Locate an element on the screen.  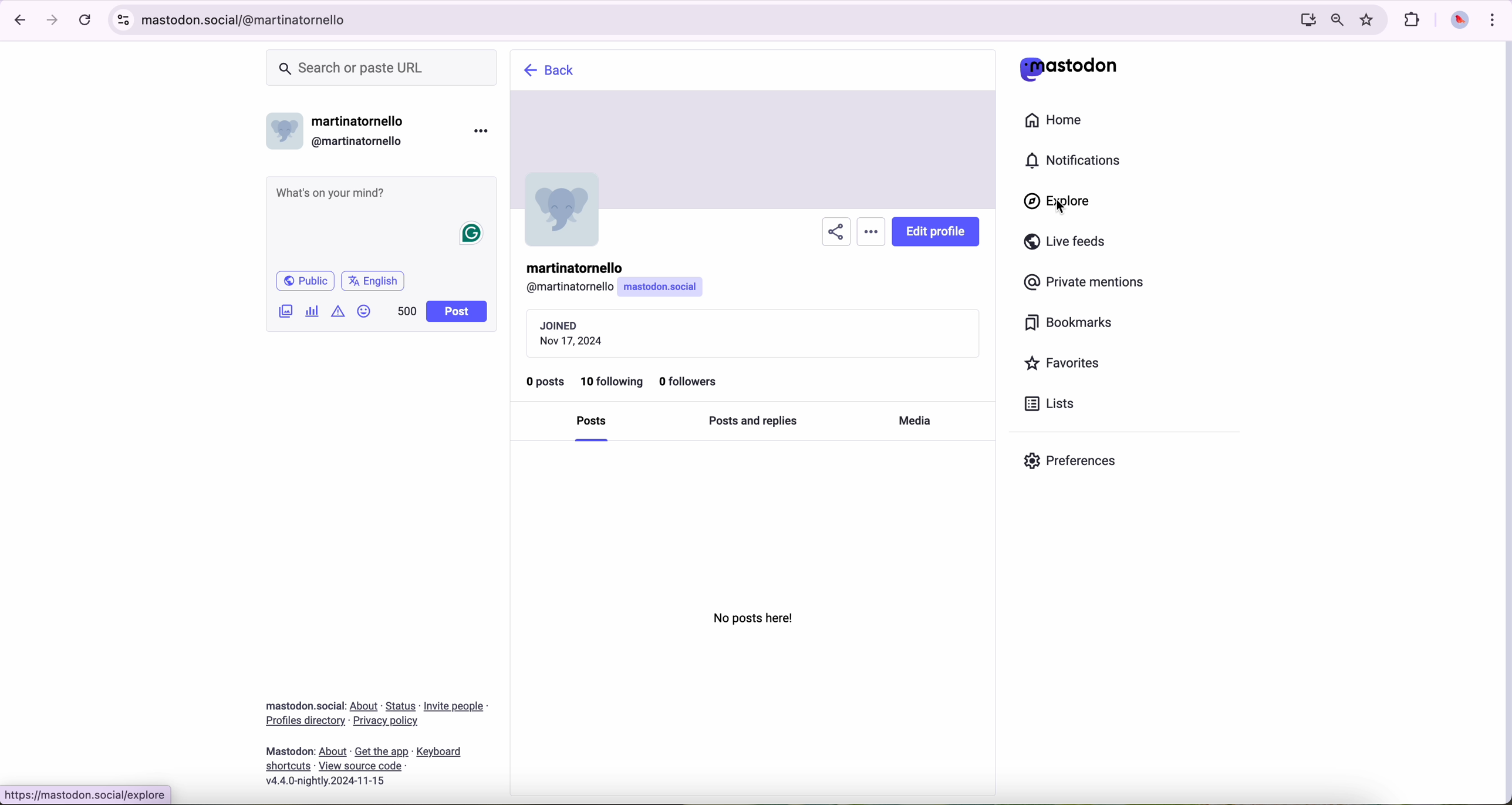
link is located at coordinates (365, 706).